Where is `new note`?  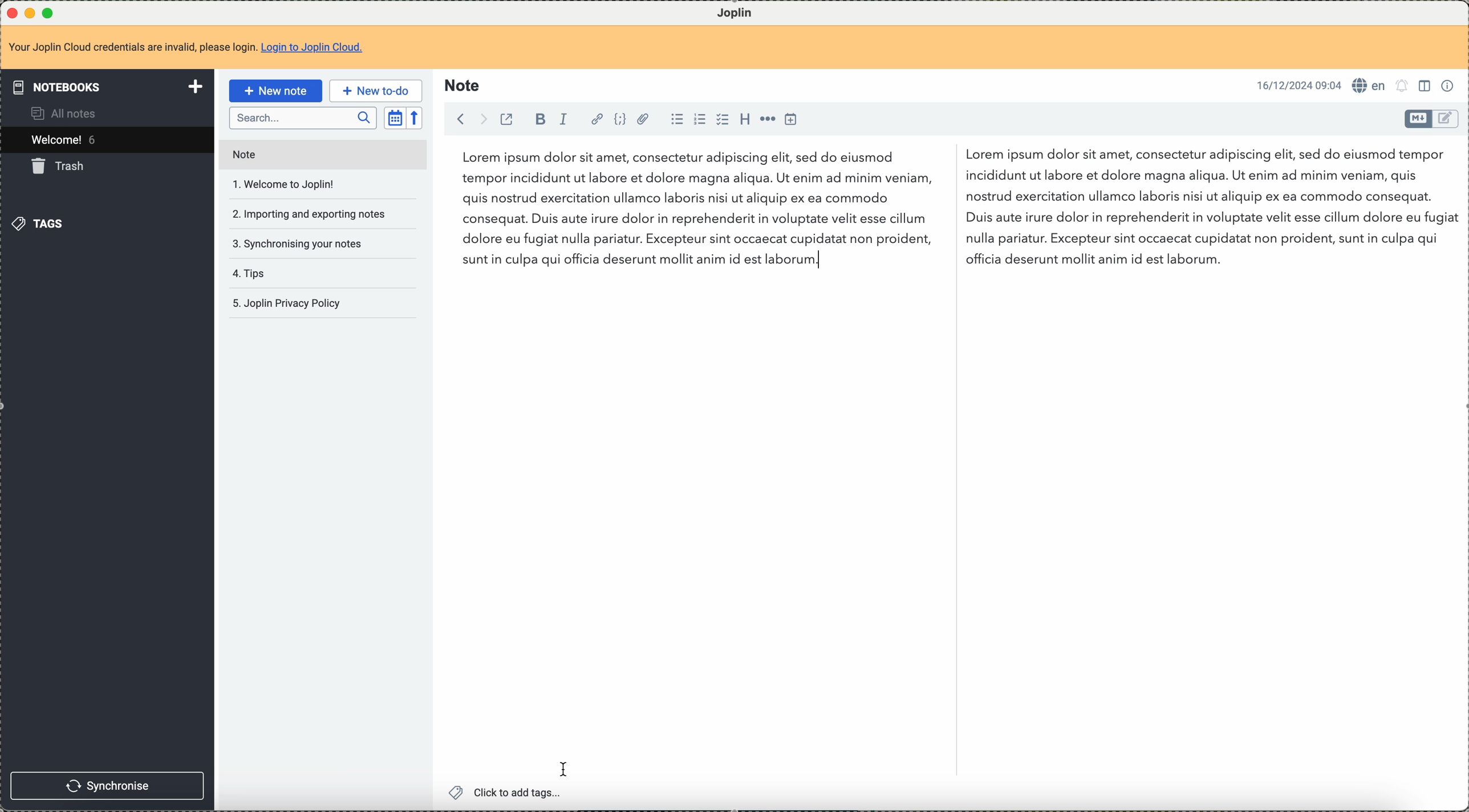 new note is located at coordinates (274, 91).